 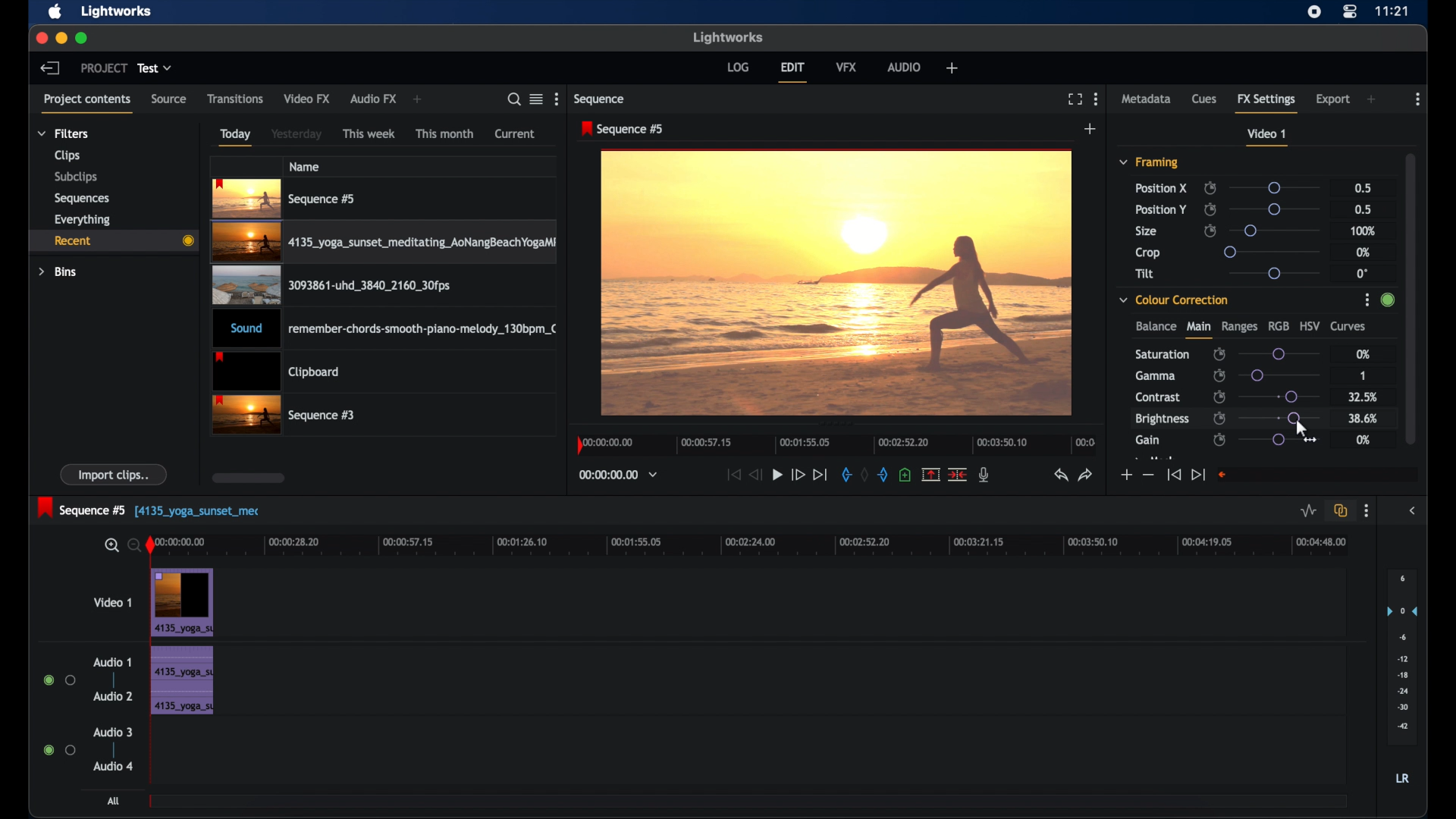 What do you see at coordinates (559, 99) in the screenshot?
I see `more options` at bounding box center [559, 99].